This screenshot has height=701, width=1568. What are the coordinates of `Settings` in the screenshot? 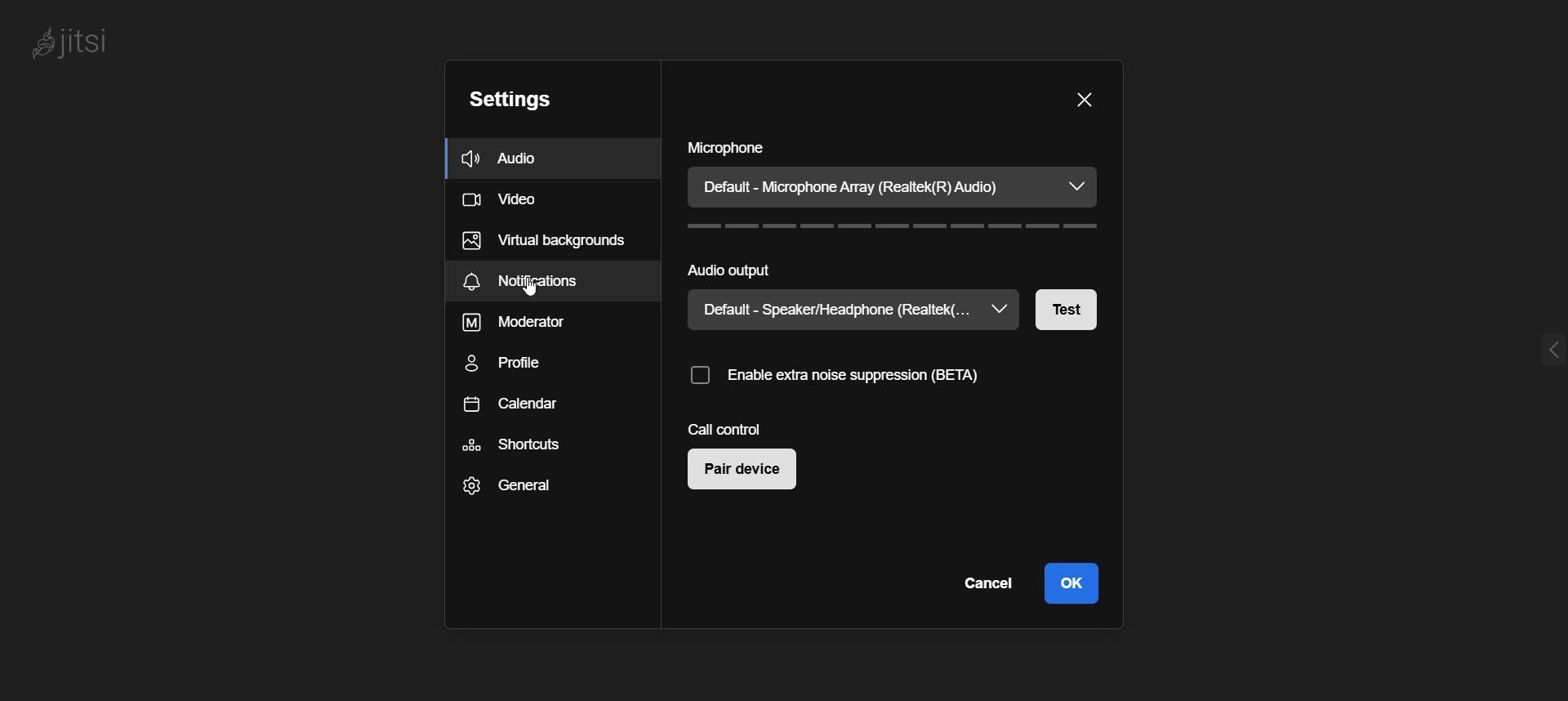 It's located at (539, 100).